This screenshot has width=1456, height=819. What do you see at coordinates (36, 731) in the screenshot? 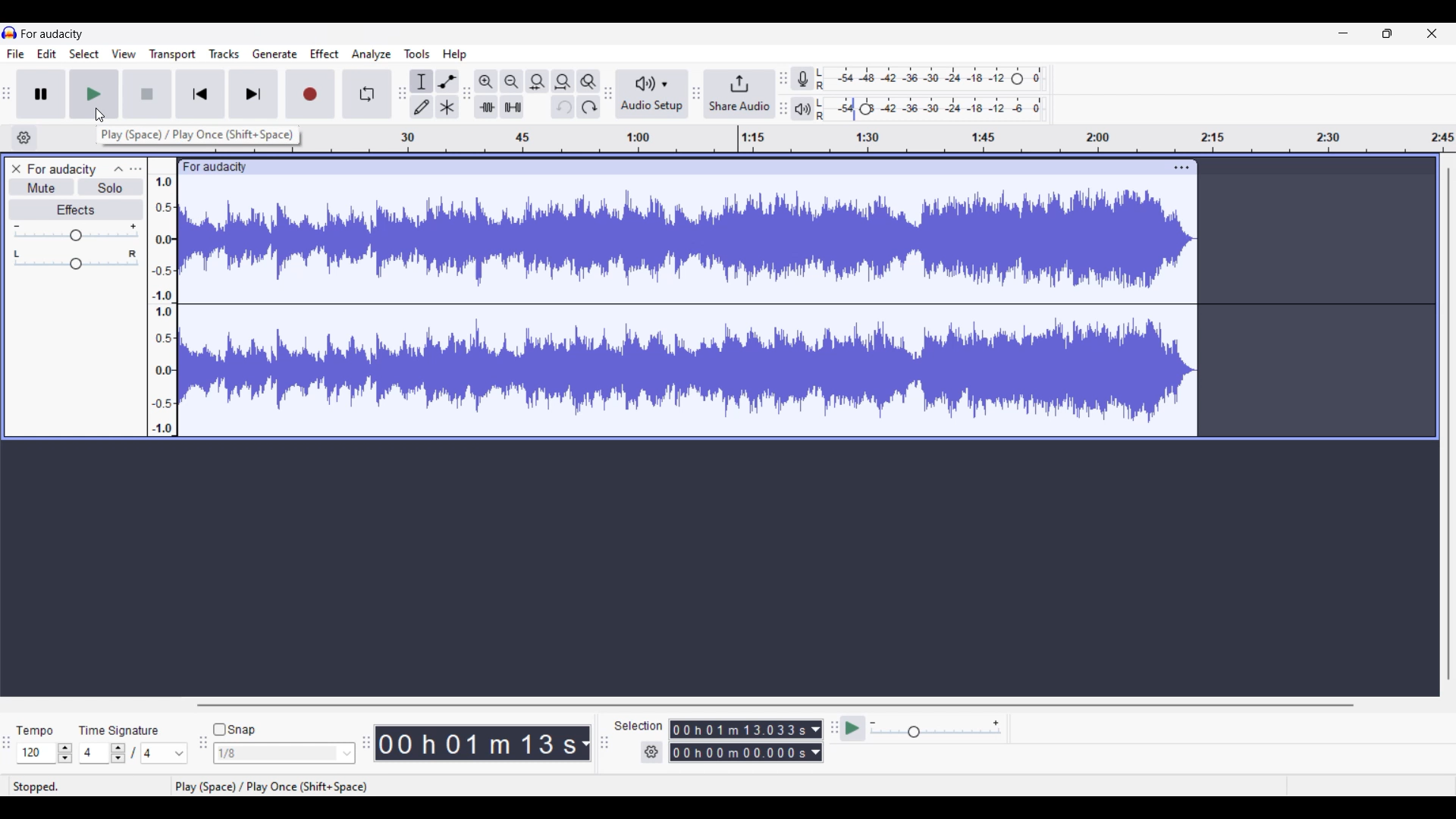
I see `Indicates tempo settings` at bounding box center [36, 731].